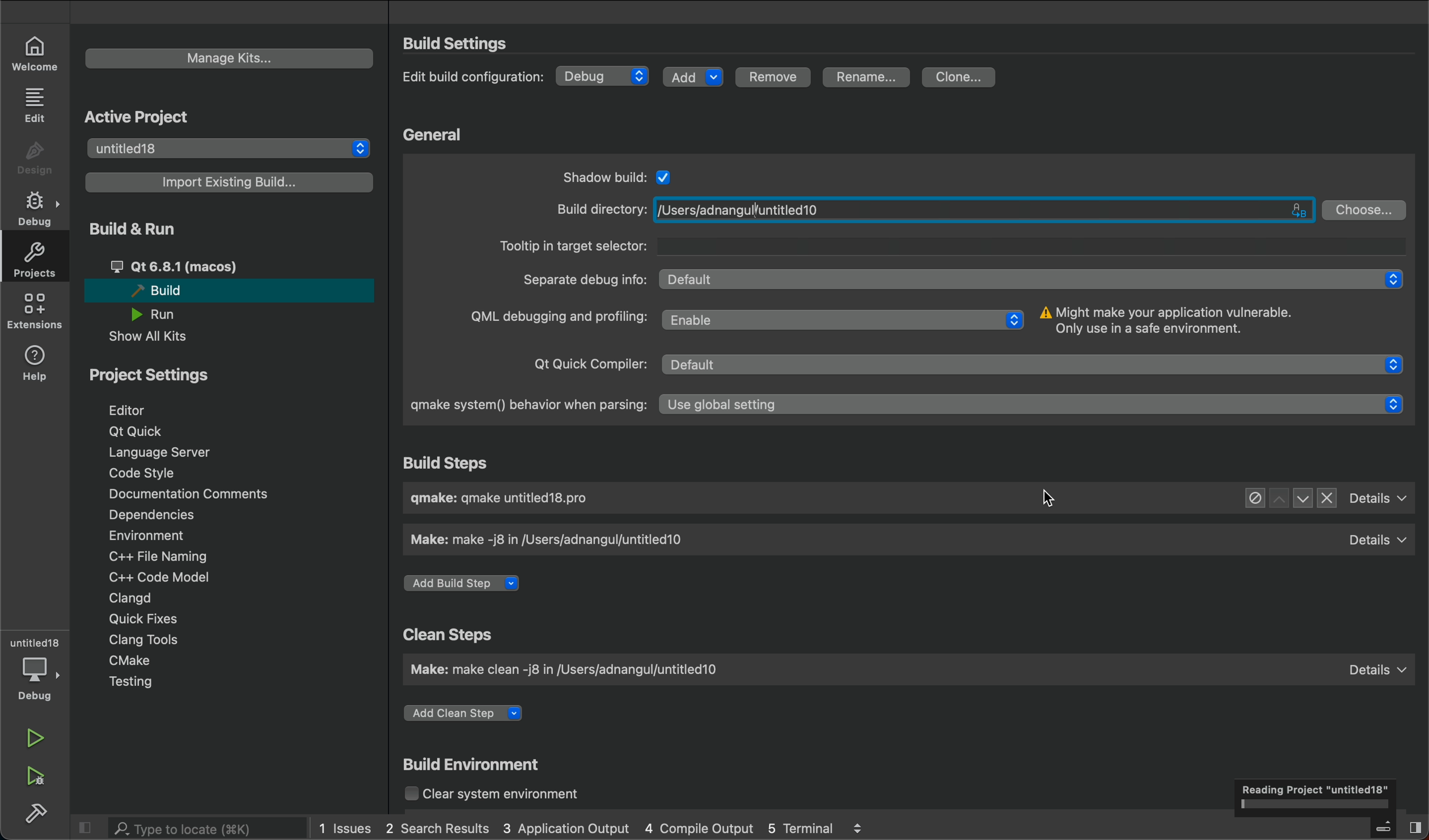 This screenshot has height=840, width=1429. What do you see at coordinates (35, 315) in the screenshot?
I see `extensions` at bounding box center [35, 315].